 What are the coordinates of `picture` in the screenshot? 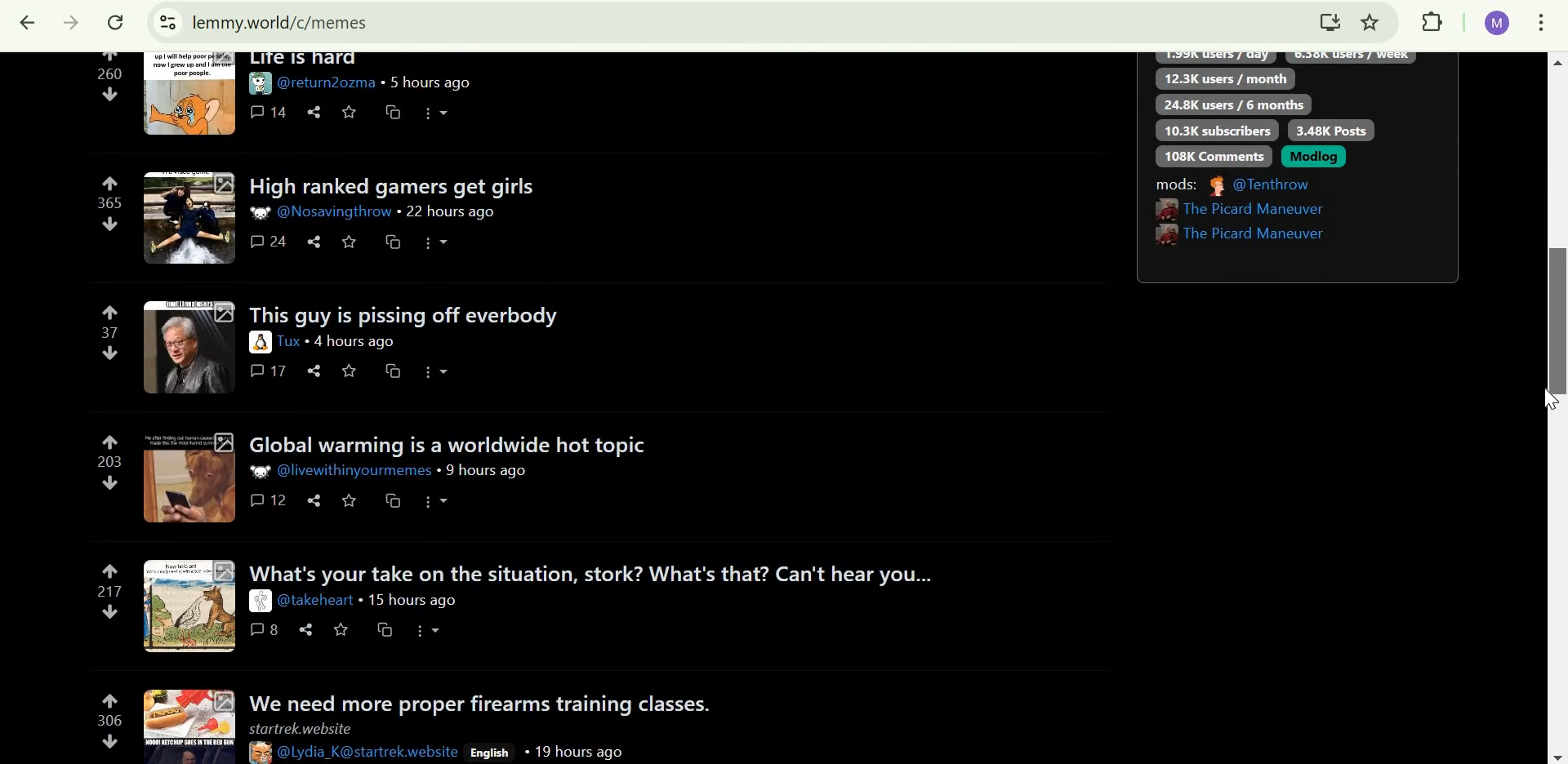 It's located at (259, 753).